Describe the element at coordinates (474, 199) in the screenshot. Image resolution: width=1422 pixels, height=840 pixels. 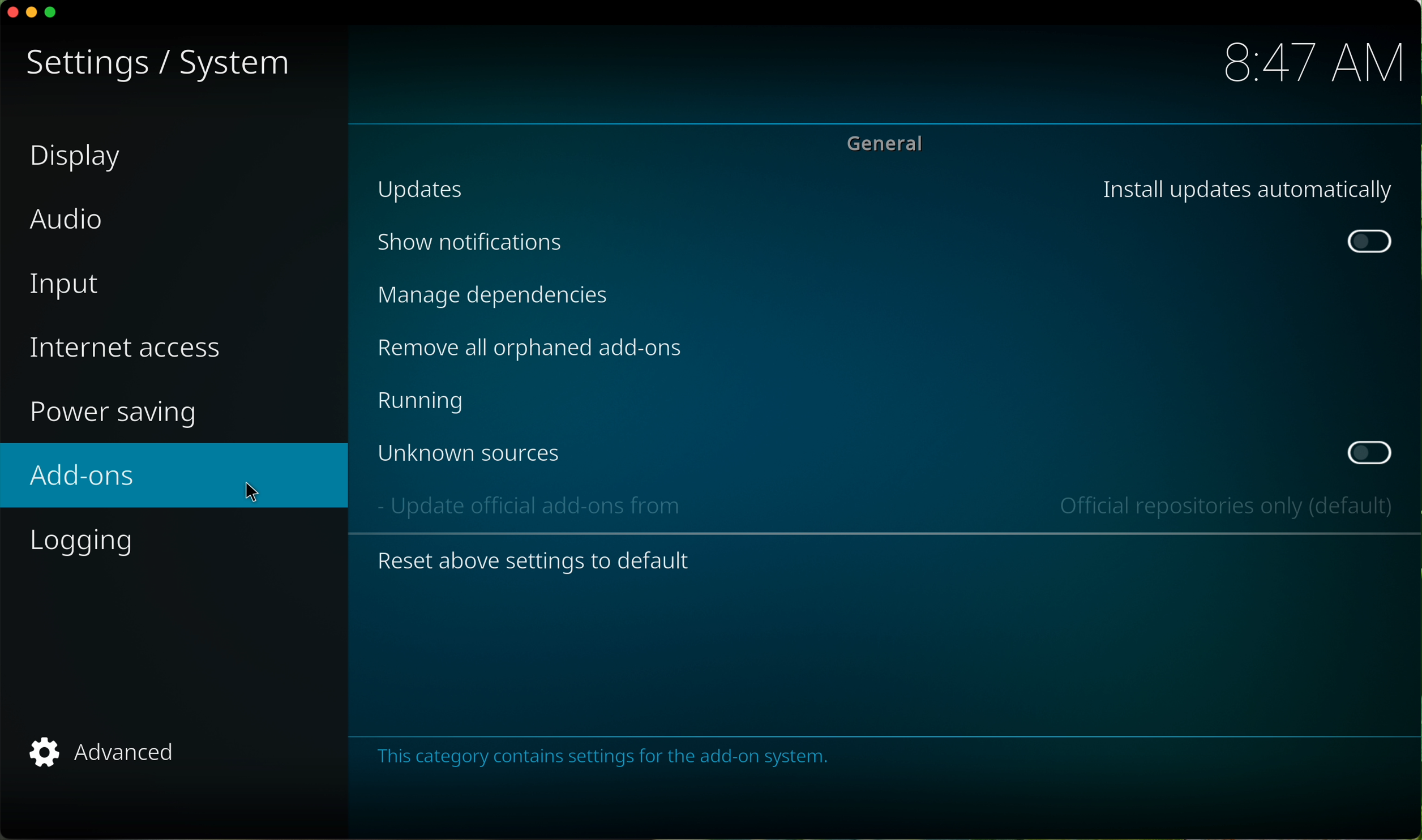
I see `Updates` at that location.